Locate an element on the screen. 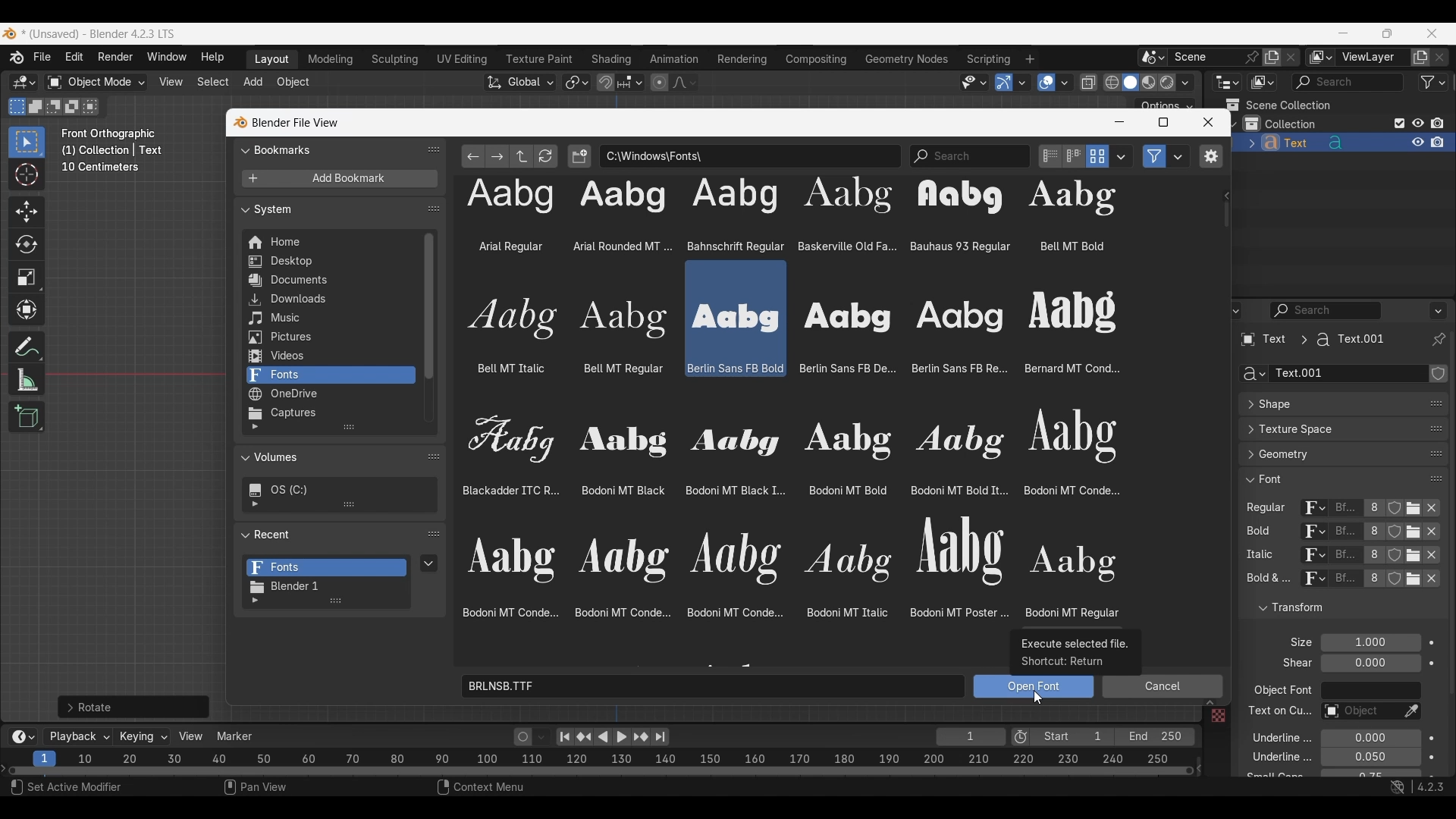 The height and width of the screenshot is (819, 1456). Sets the object interaction mode is located at coordinates (96, 83).